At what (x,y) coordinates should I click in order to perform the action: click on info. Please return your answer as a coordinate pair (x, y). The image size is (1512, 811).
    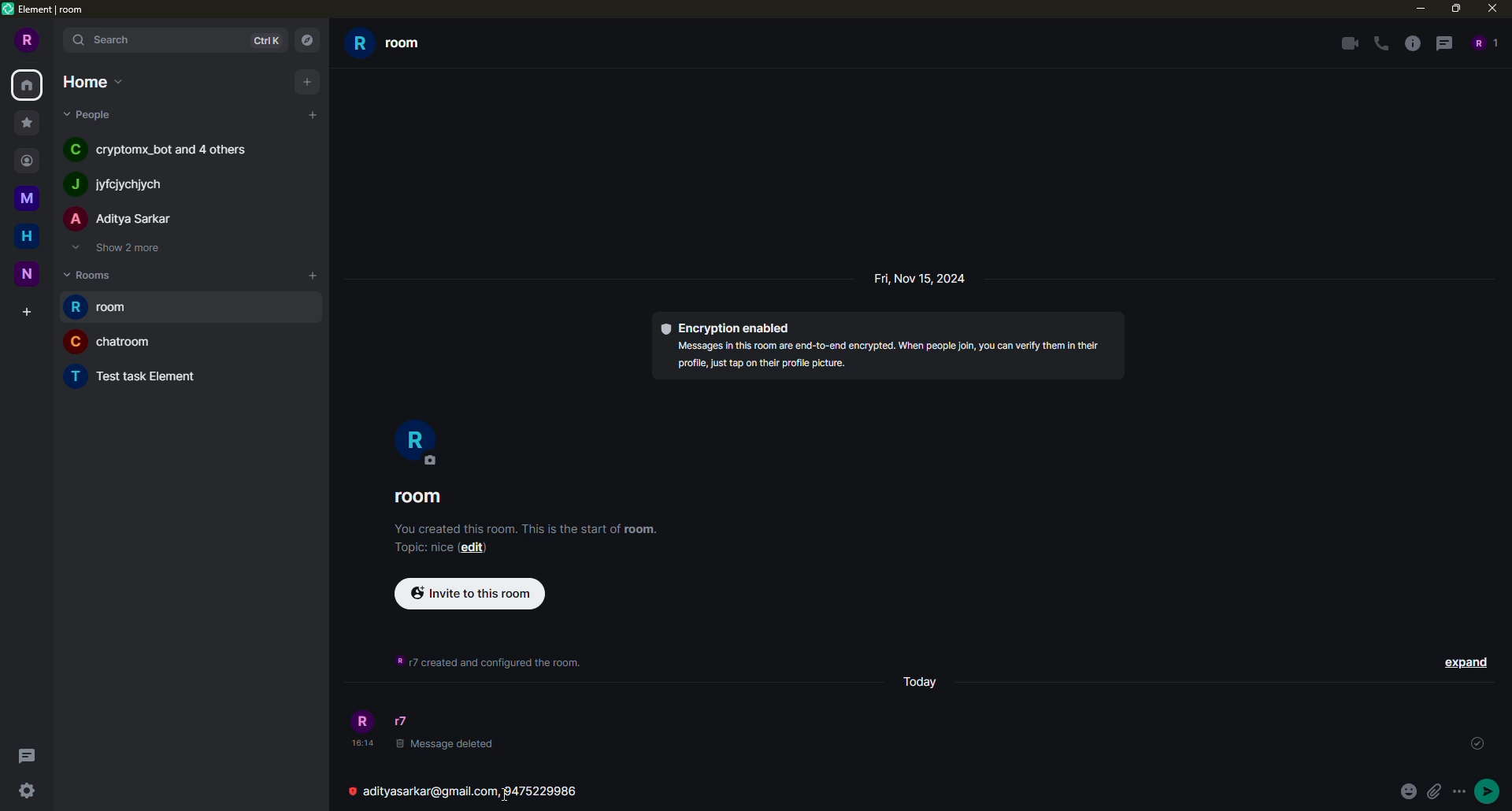
    Looking at the image, I should click on (492, 665).